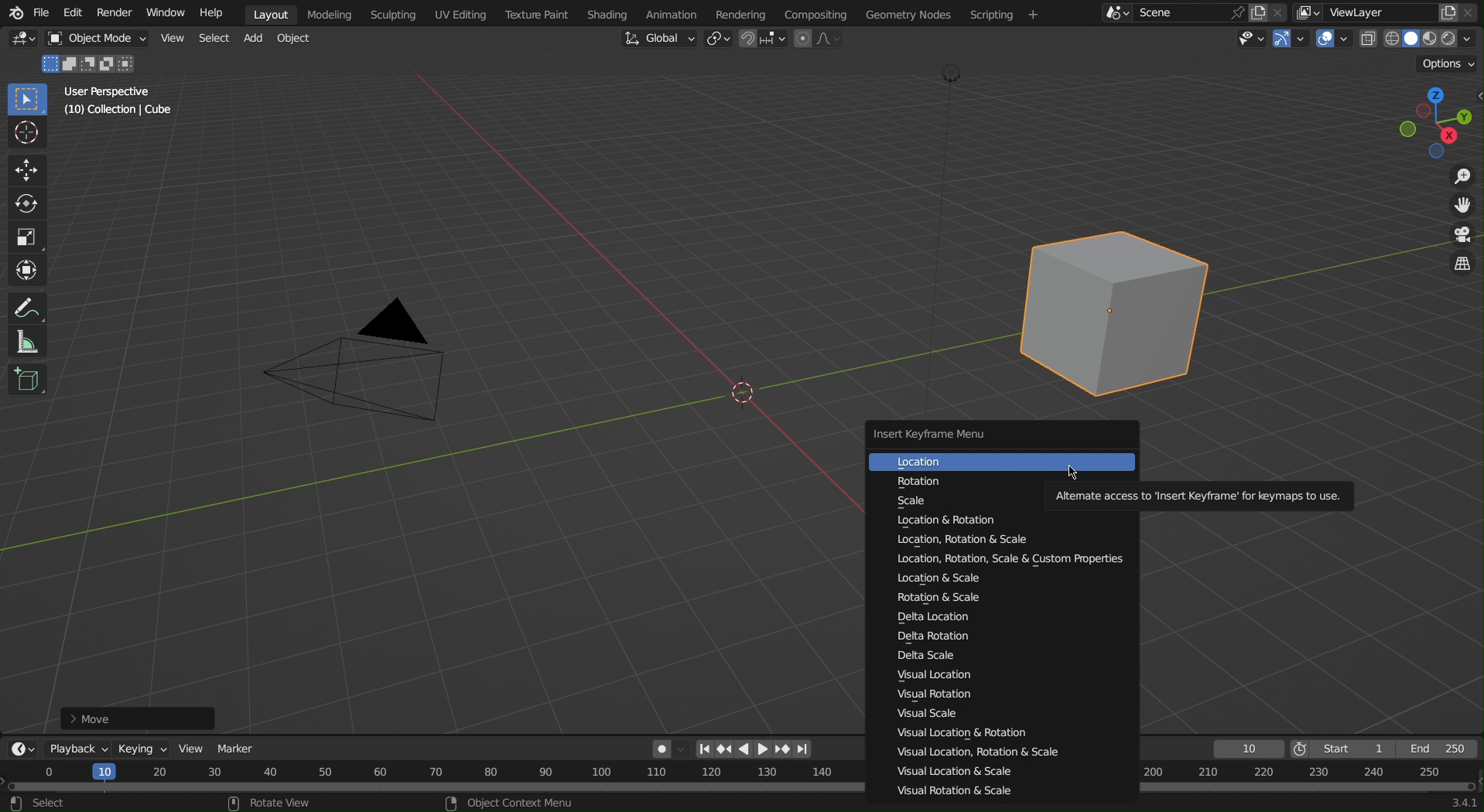 The width and height of the screenshot is (1484, 812). Describe the element at coordinates (931, 675) in the screenshot. I see `Visual Location` at that location.